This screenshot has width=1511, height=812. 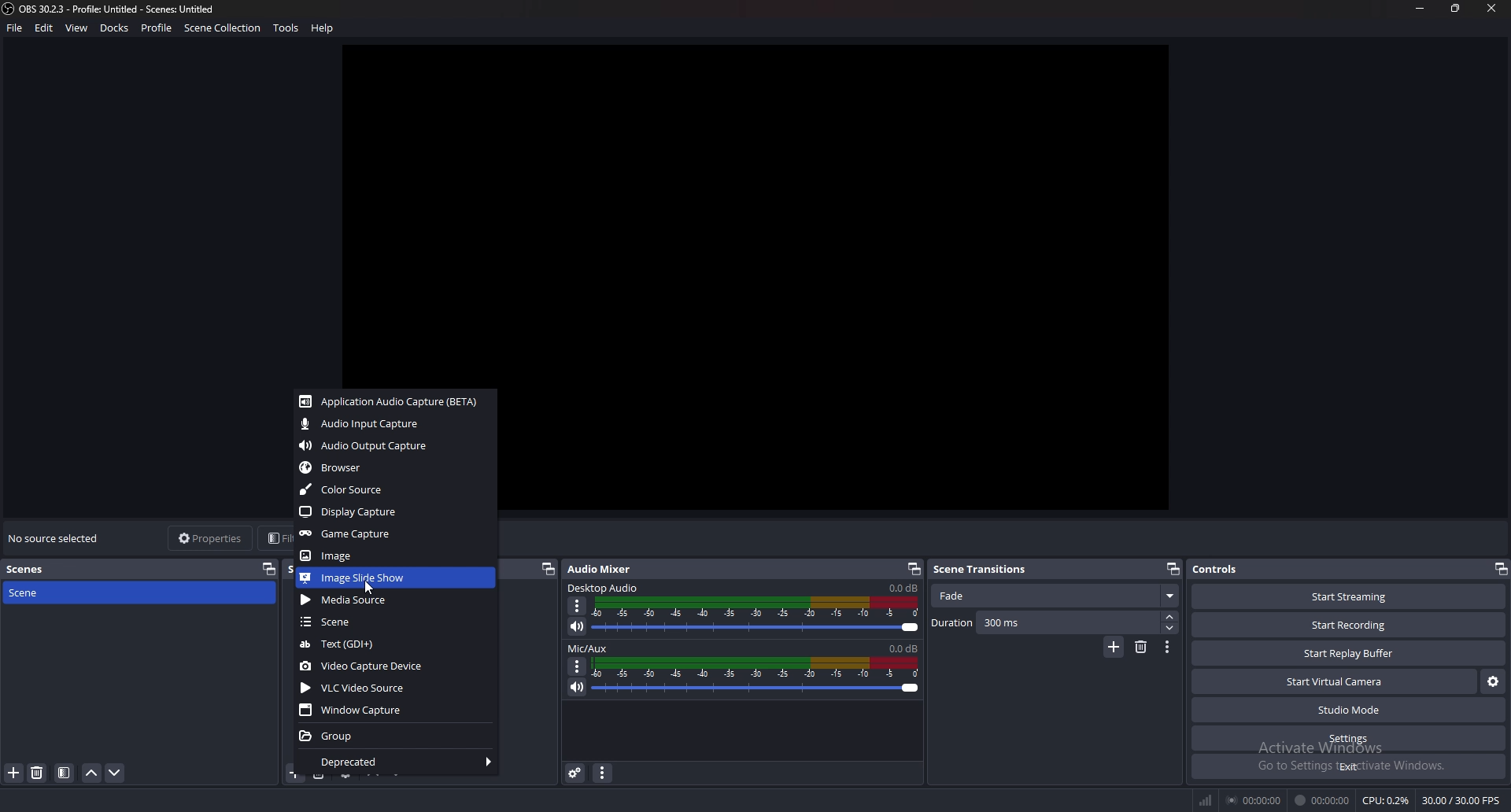 I want to click on game capture, so click(x=395, y=535).